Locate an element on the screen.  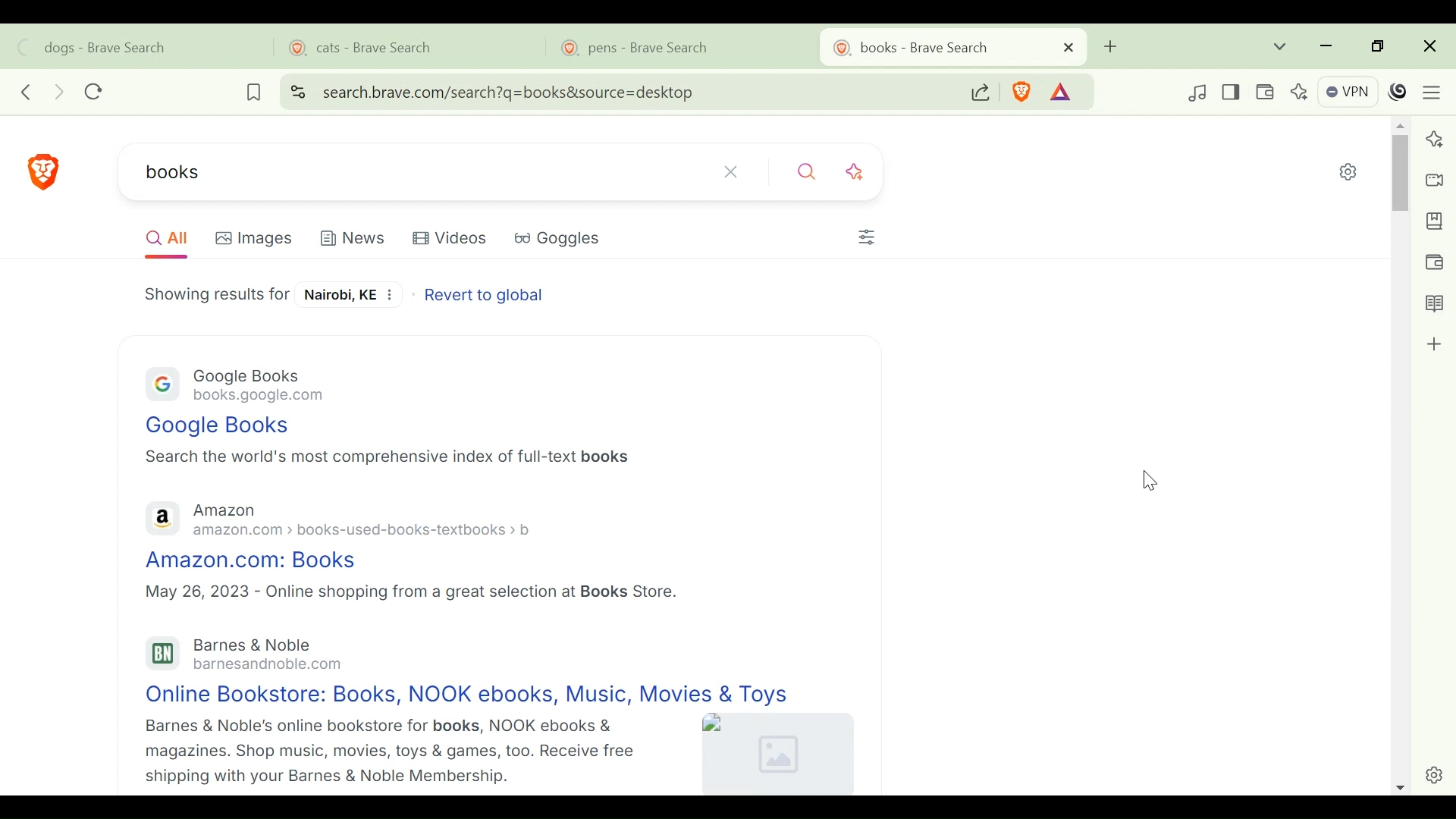
Videos is located at coordinates (450, 237).